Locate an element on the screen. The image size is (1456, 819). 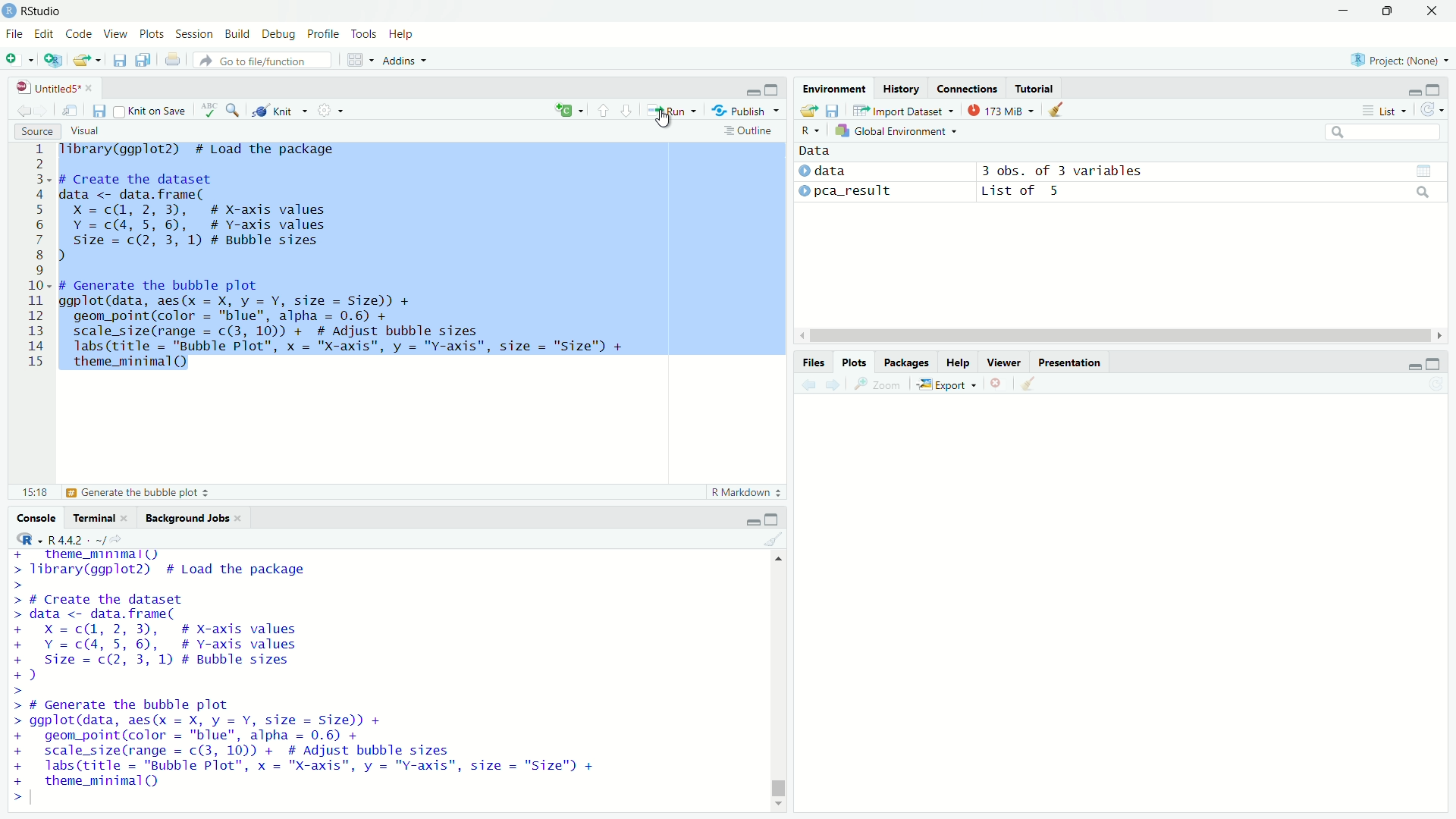
lines is located at coordinates (37, 260).